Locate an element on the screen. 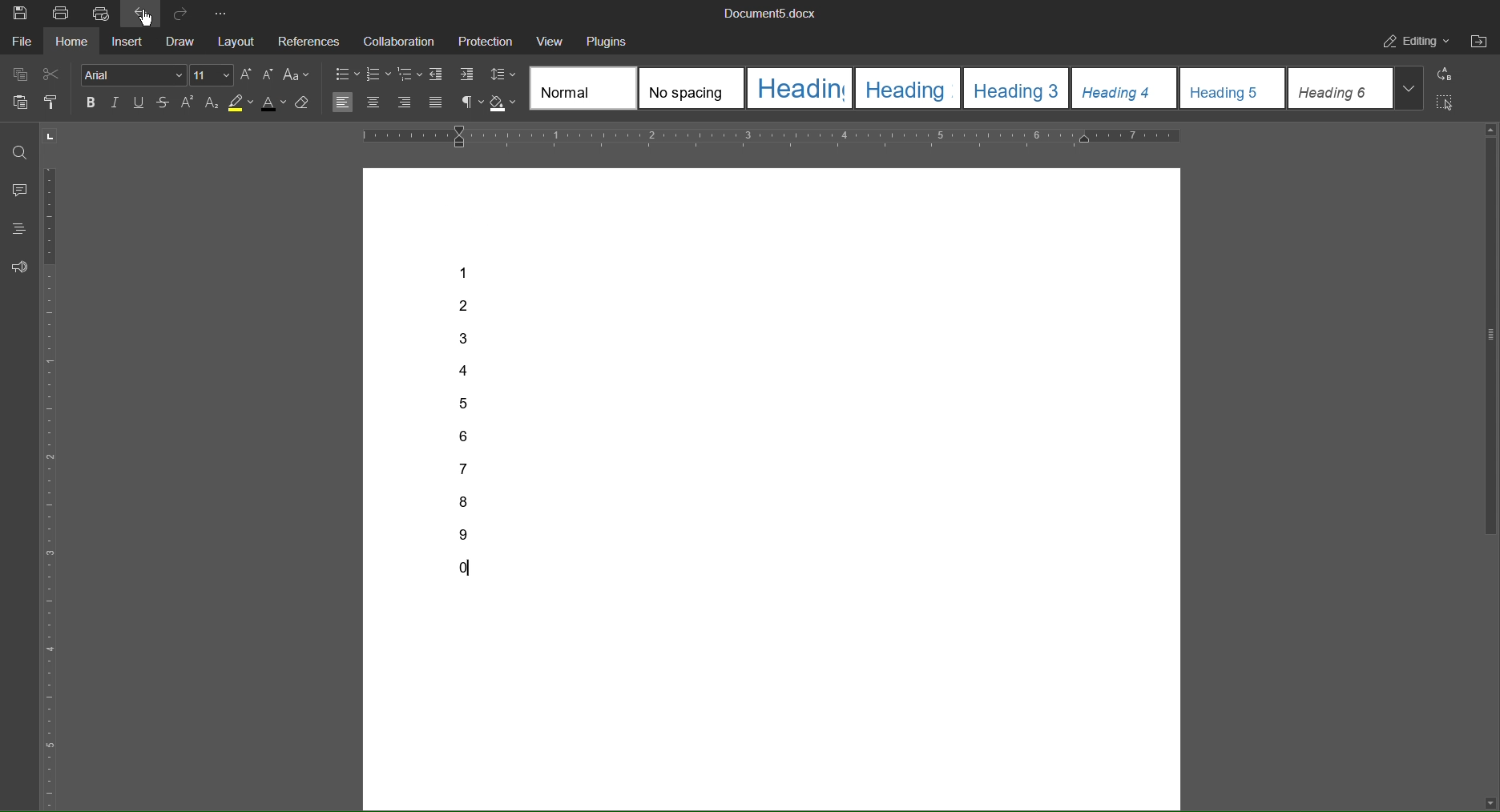 The height and width of the screenshot is (812, 1500). Bold is located at coordinates (94, 102).